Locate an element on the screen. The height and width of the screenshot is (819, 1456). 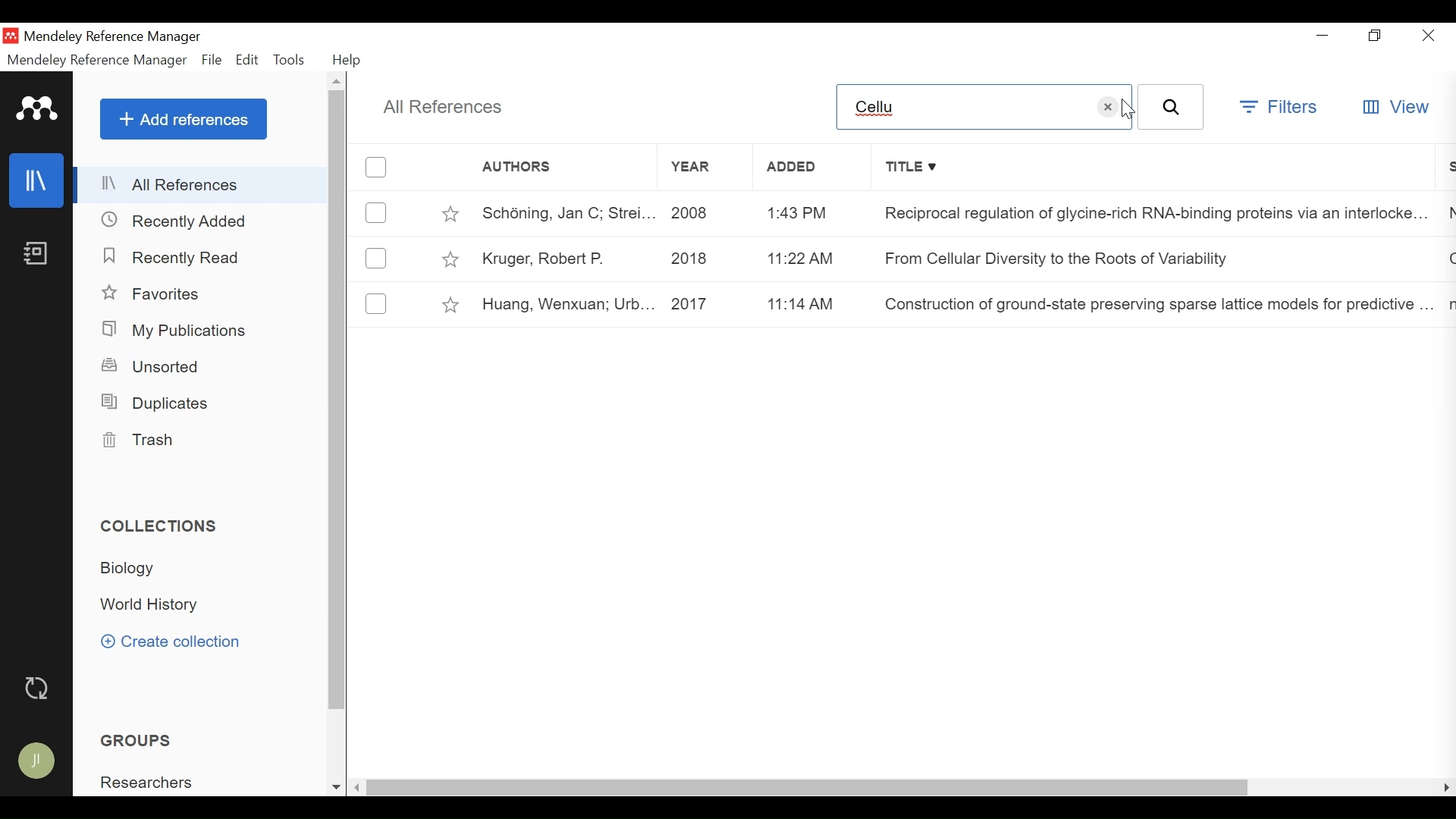
Sync is located at coordinates (36, 688).